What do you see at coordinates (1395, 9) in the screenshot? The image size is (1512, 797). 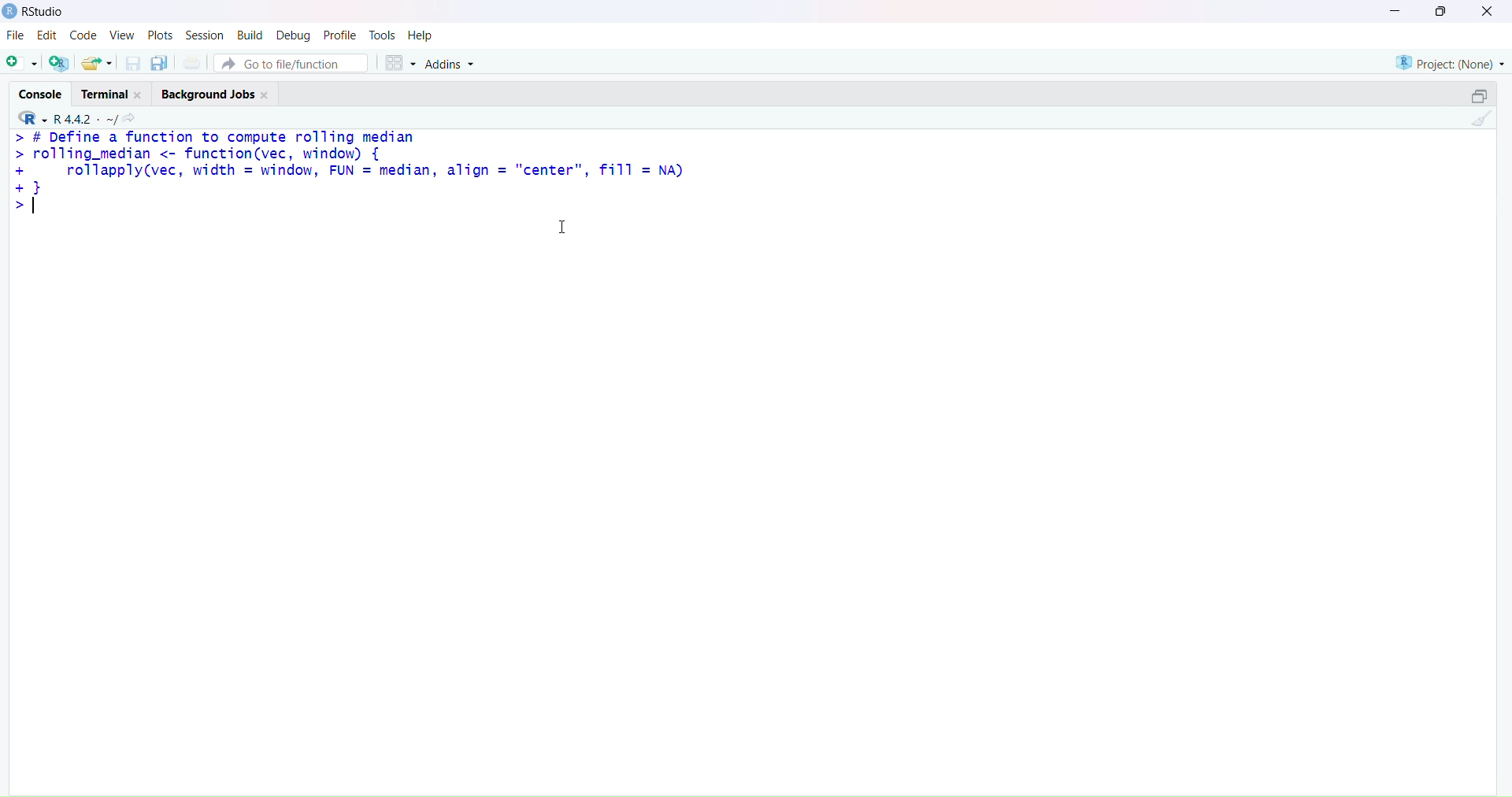 I see `minimise` at bounding box center [1395, 9].